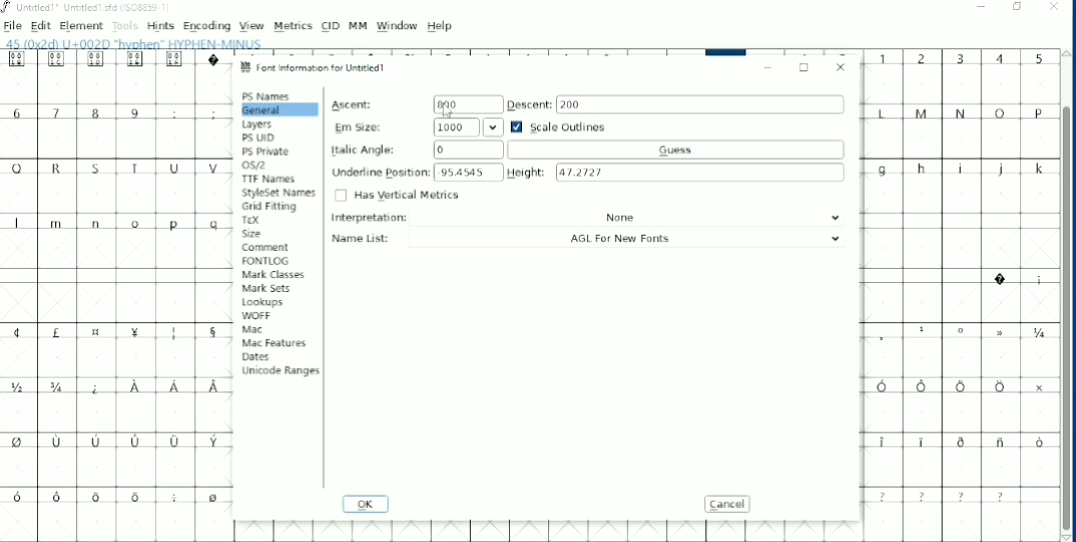  What do you see at coordinates (273, 343) in the screenshot?
I see `Mac Features` at bounding box center [273, 343].